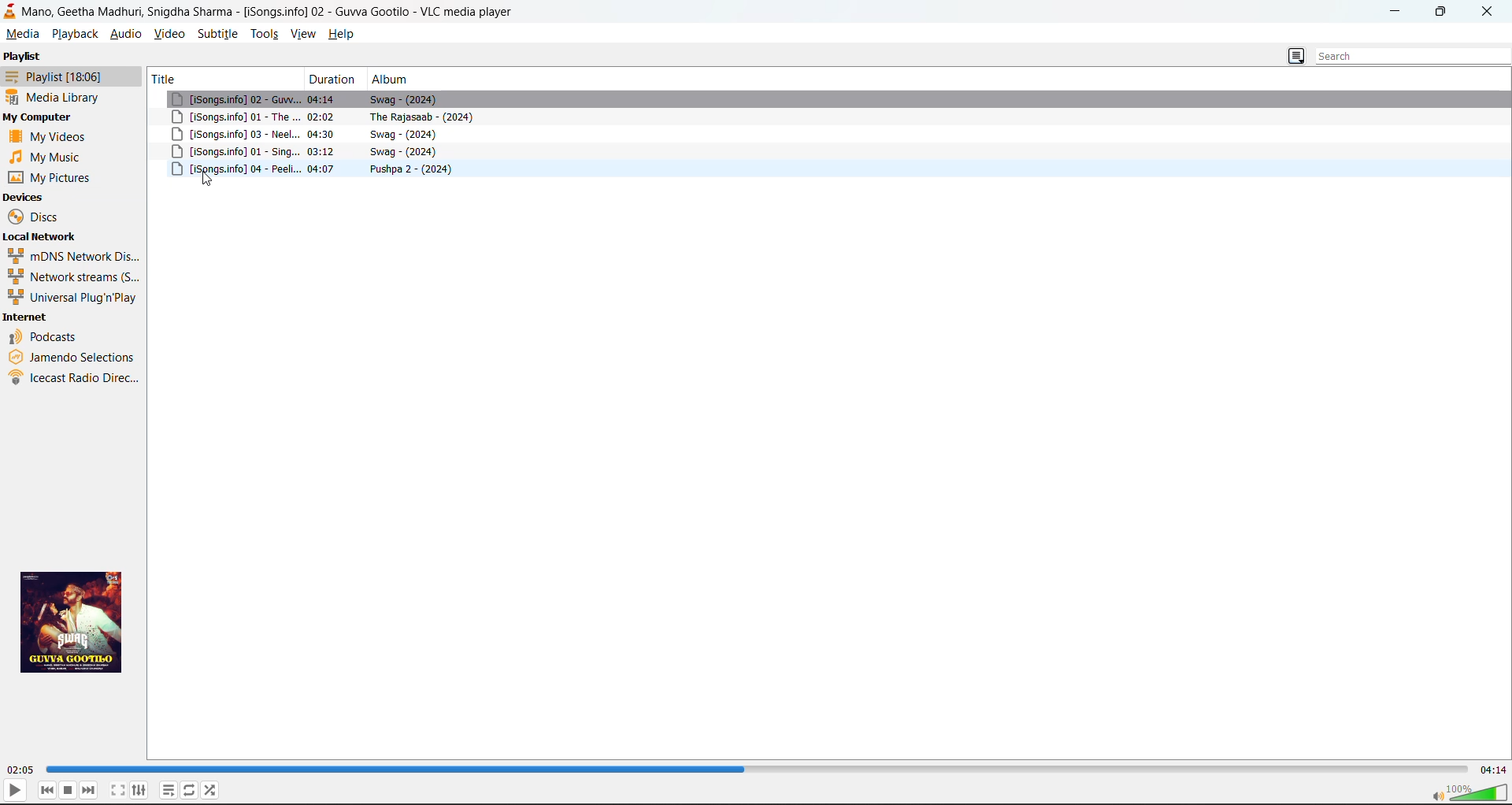  I want to click on song, so click(833, 99).